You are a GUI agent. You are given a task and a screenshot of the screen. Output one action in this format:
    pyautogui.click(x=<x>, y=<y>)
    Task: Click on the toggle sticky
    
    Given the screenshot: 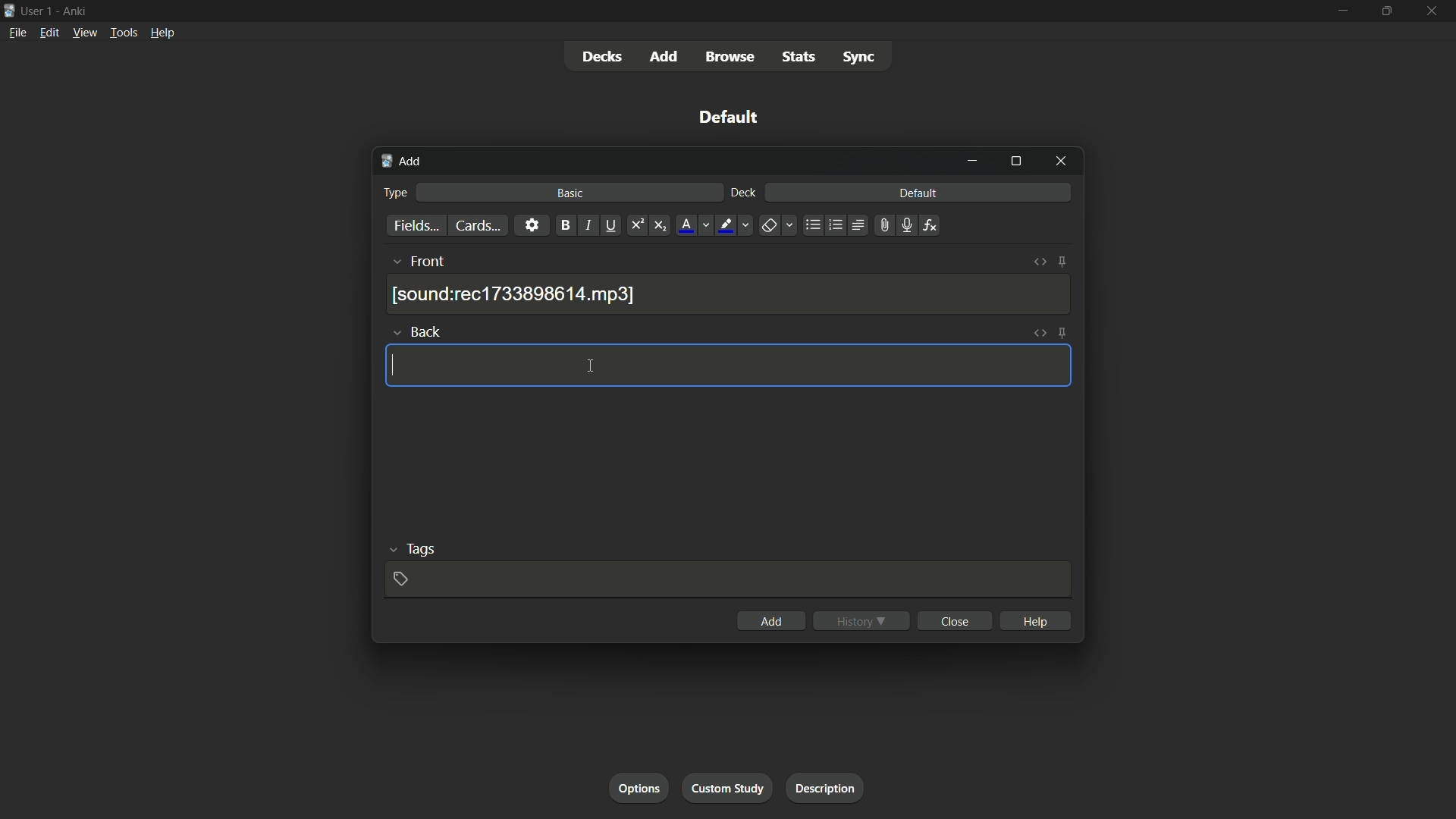 What is the action you would take?
    pyautogui.click(x=1062, y=262)
    